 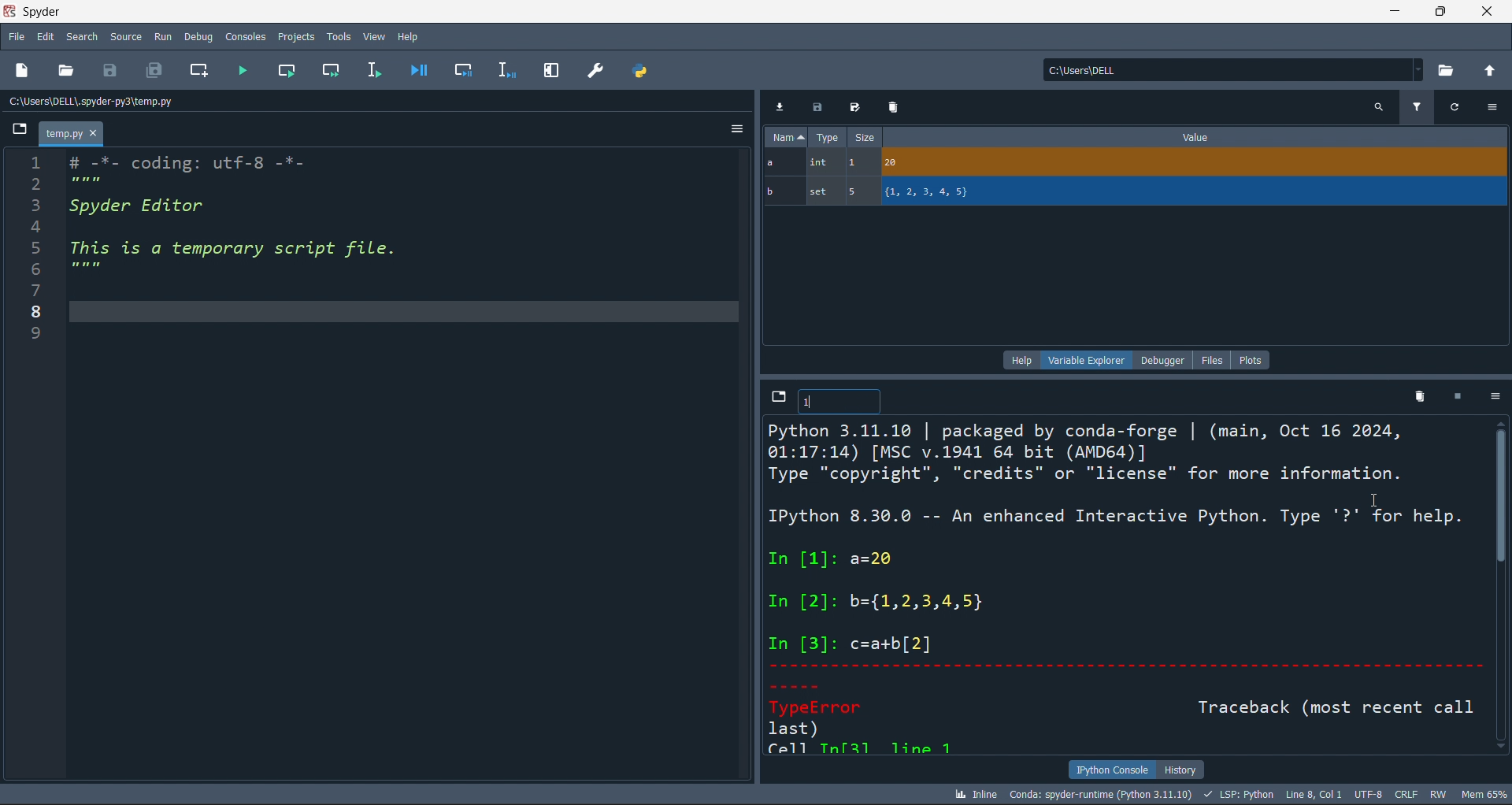 What do you see at coordinates (243, 35) in the screenshot?
I see `consoles` at bounding box center [243, 35].